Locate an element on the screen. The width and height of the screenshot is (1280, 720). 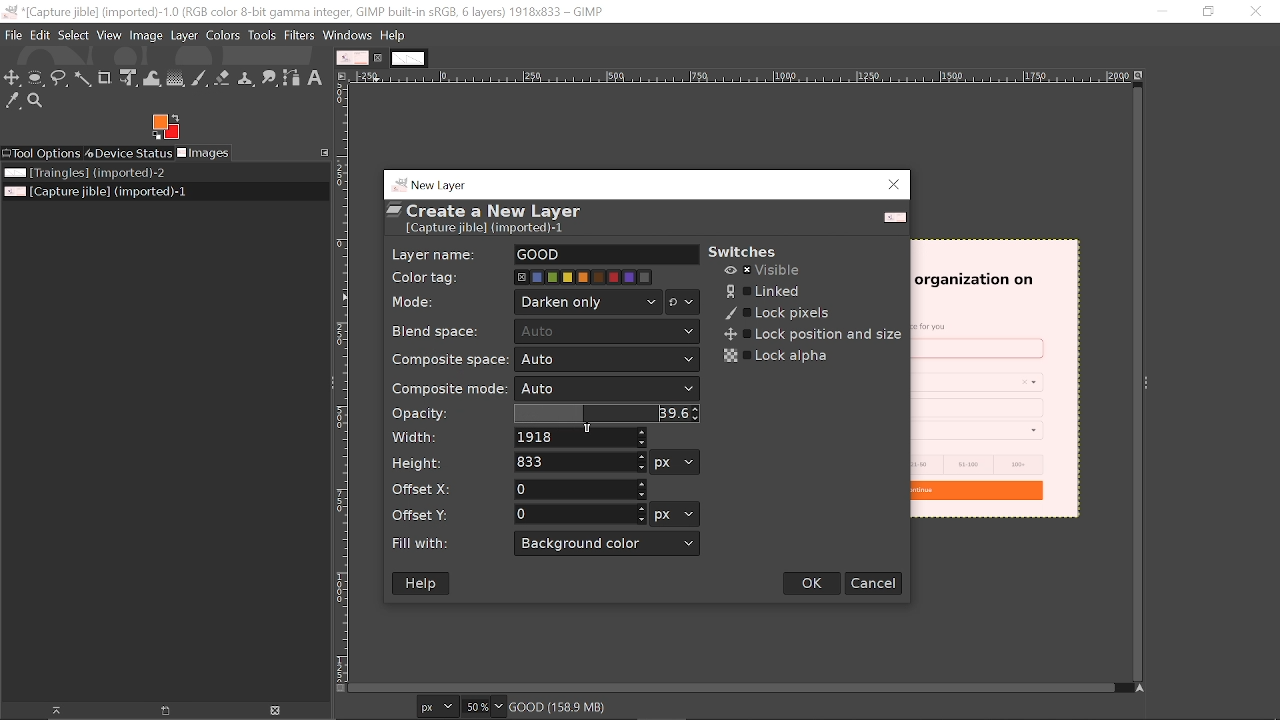
Lock pixels is located at coordinates (778, 314).